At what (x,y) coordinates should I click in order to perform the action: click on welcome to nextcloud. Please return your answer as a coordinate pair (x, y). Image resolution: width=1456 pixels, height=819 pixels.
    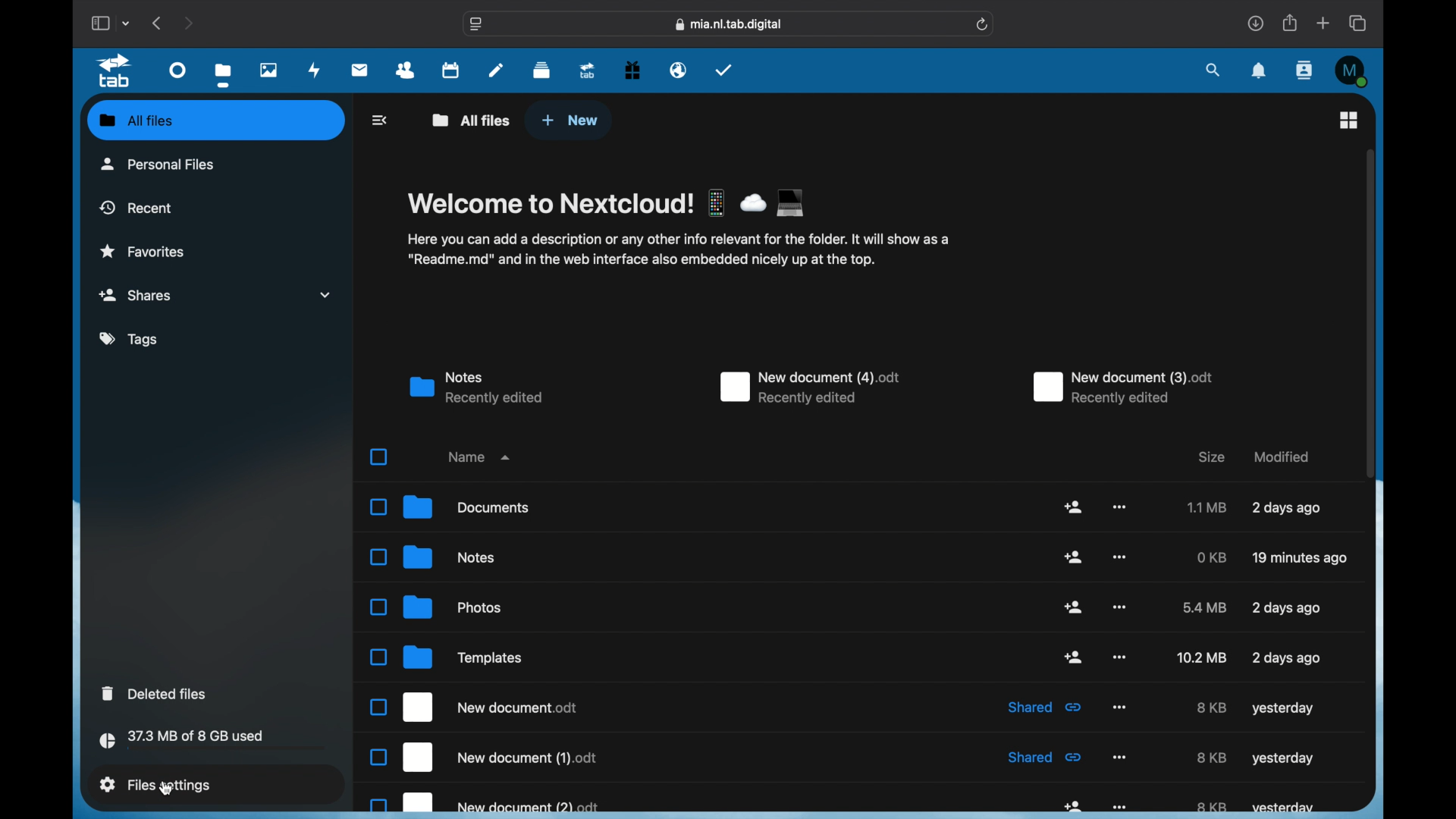
    Looking at the image, I should click on (608, 202).